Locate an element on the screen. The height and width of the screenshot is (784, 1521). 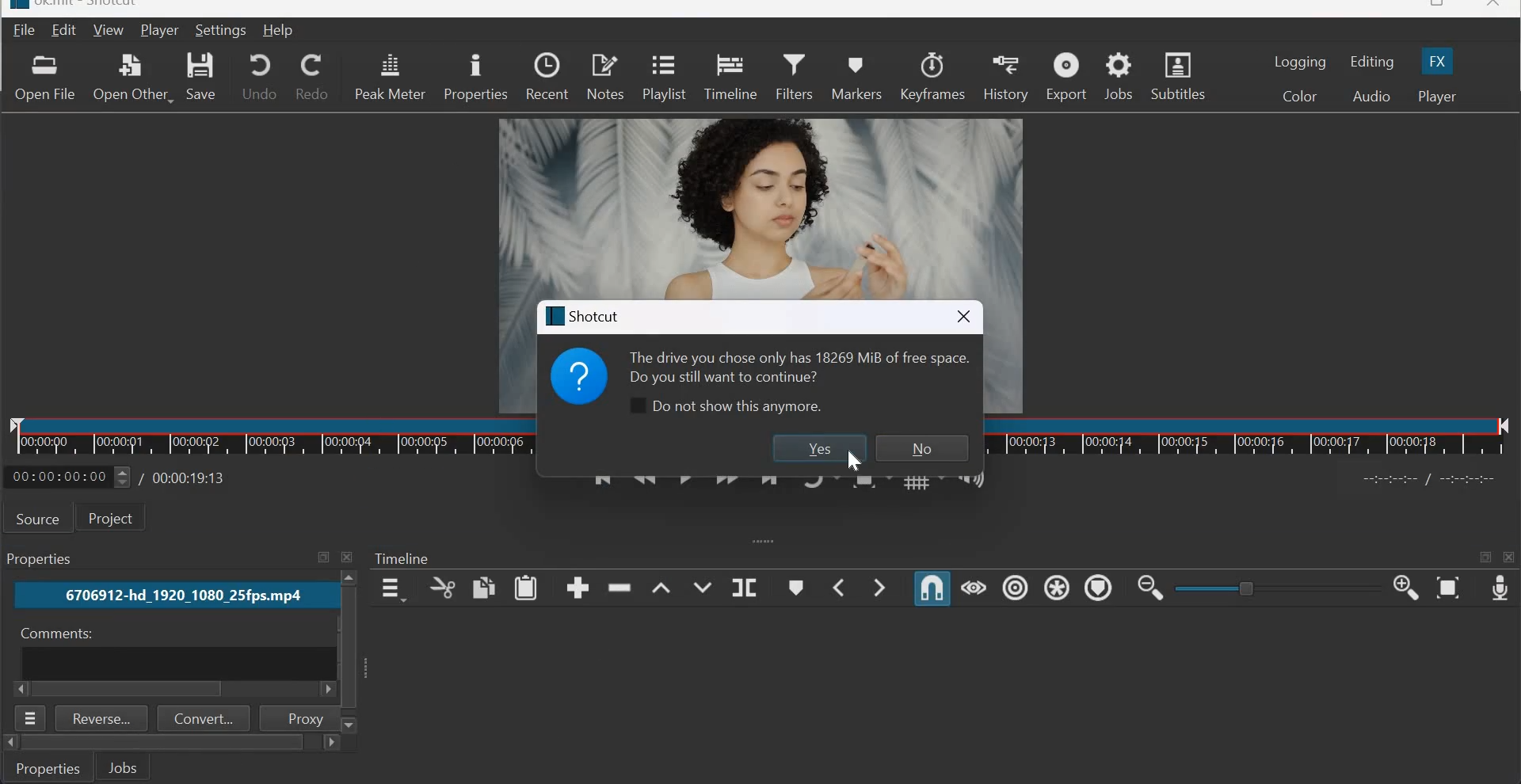
Save is located at coordinates (204, 76).